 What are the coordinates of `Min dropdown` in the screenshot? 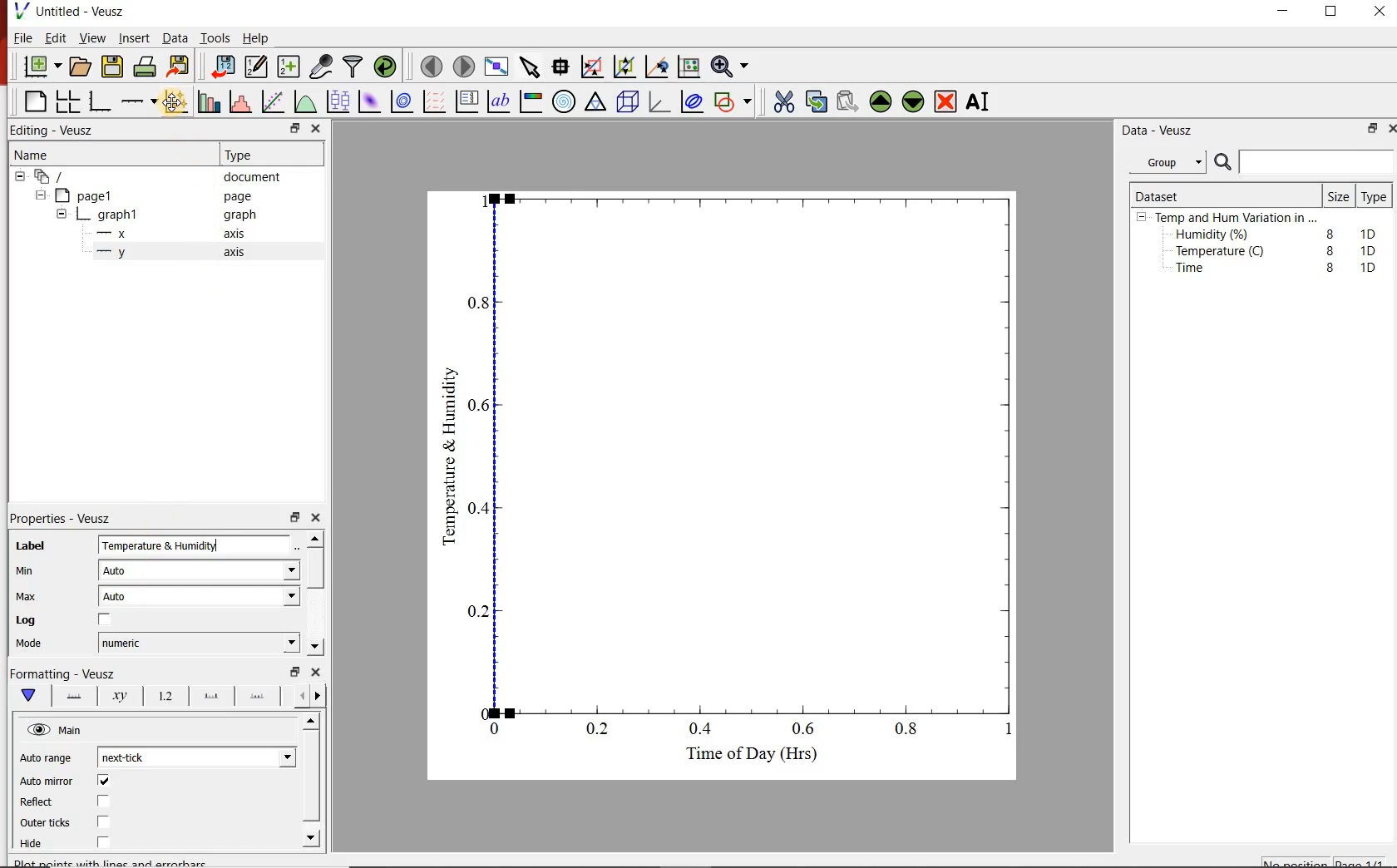 It's located at (273, 572).